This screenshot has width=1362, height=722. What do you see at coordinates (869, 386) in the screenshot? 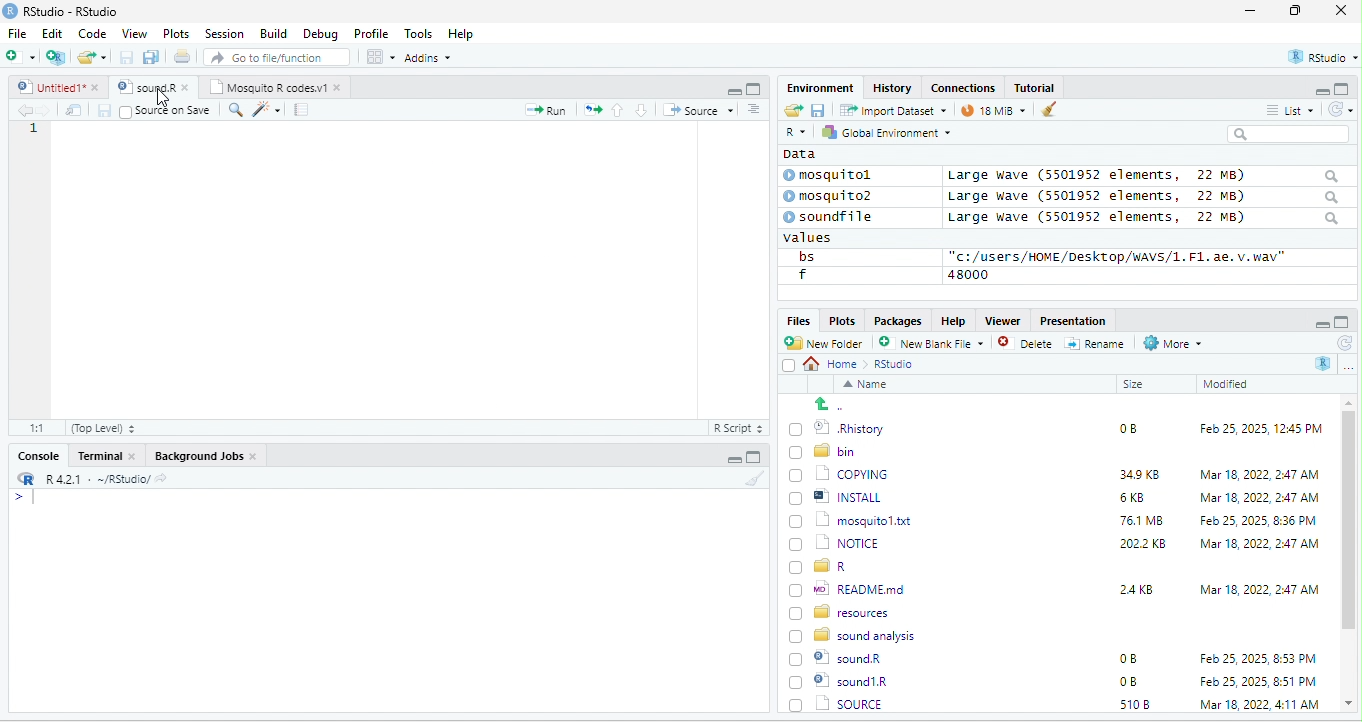
I see ` Name` at bounding box center [869, 386].